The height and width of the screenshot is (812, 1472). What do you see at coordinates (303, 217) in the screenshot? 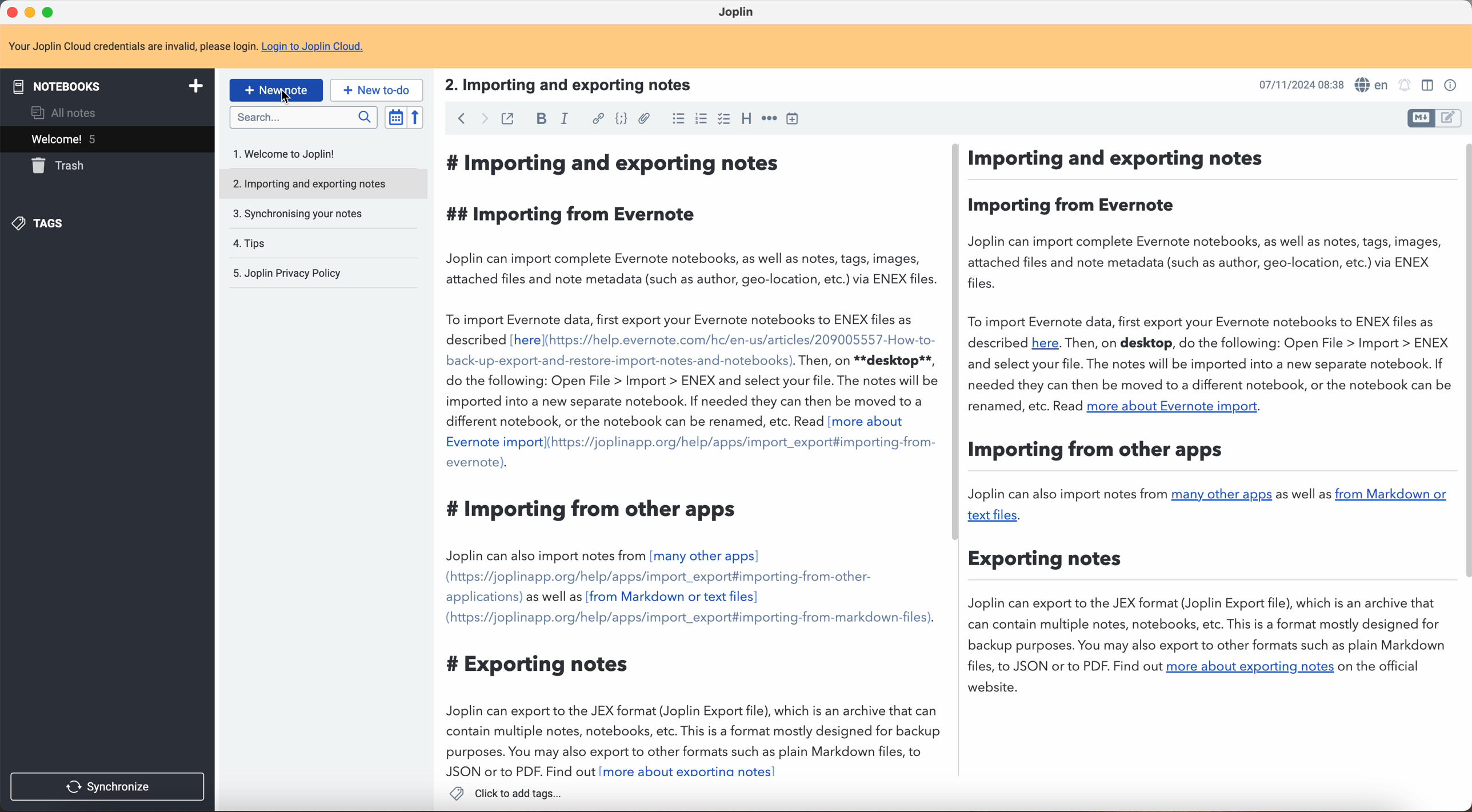
I see `synchronising your notes` at bounding box center [303, 217].